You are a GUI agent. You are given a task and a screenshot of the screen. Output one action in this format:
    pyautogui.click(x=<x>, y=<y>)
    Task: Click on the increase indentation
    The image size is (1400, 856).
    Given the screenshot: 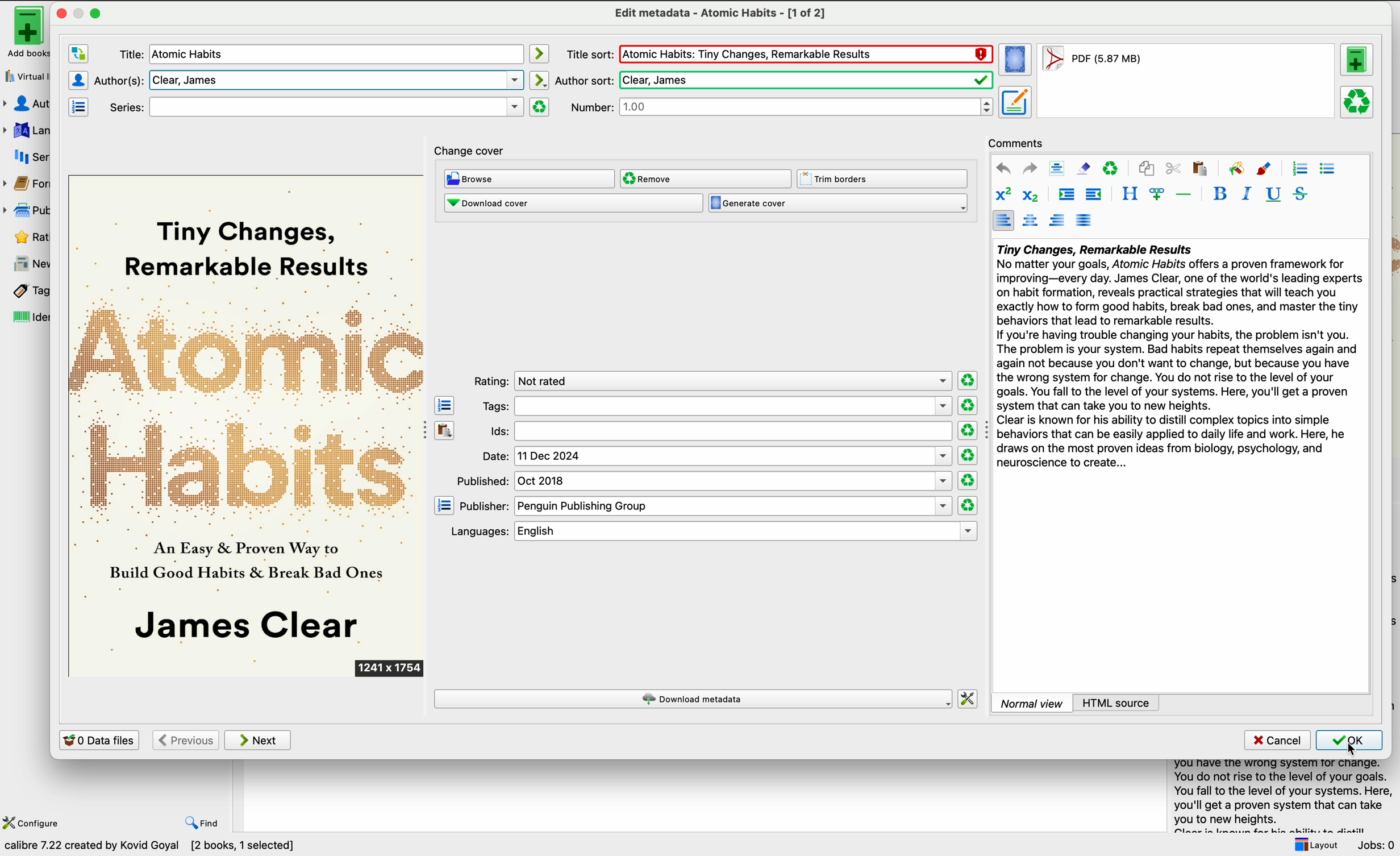 What is the action you would take?
    pyautogui.click(x=1066, y=195)
    